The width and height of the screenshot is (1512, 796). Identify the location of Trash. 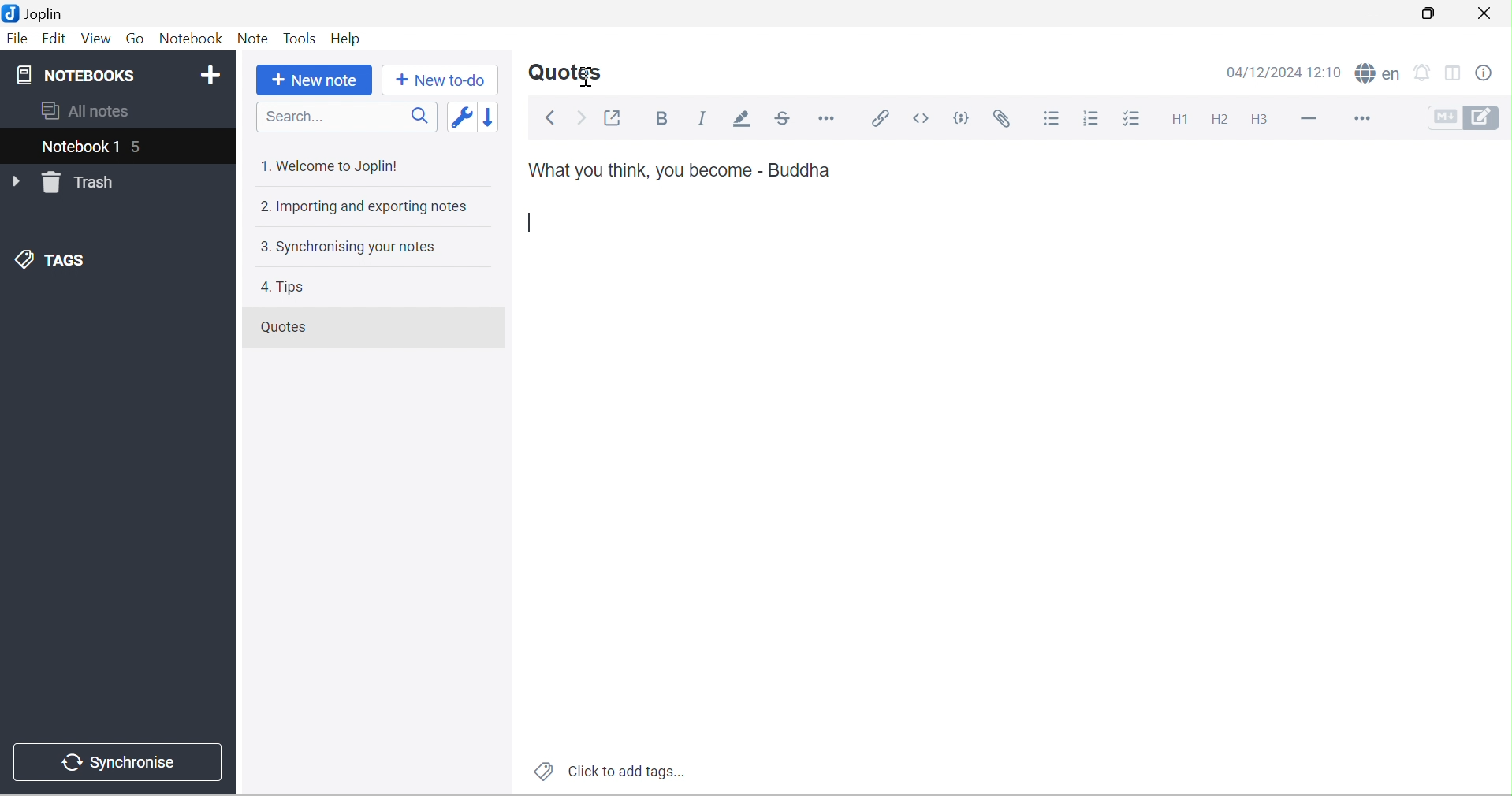
(84, 183).